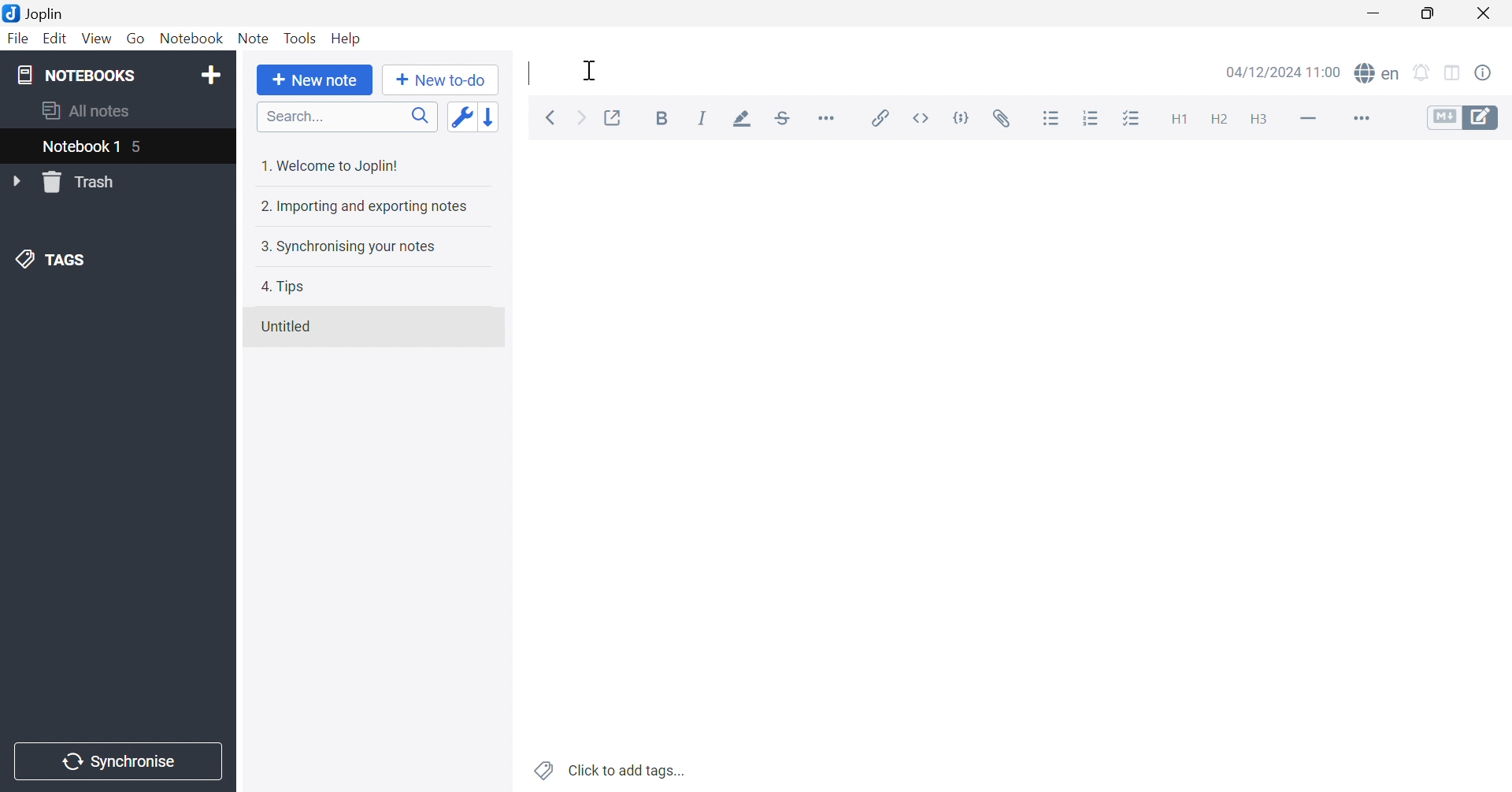  What do you see at coordinates (145, 147) in the screenshot?
I see `5` at bounding box center [145, 147].